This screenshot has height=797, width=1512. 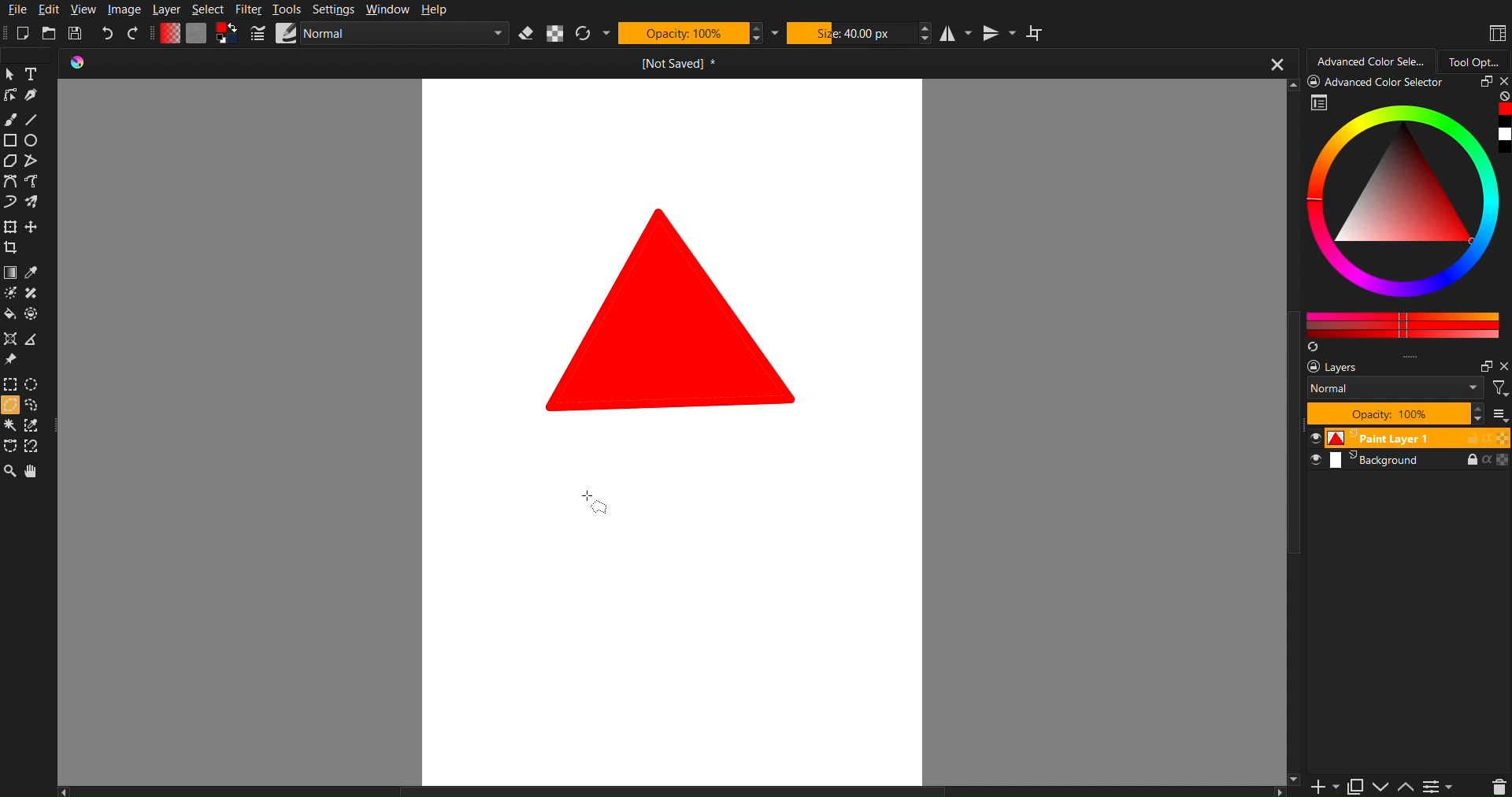 I want to click on Vertical Scrollbar, so click(x=1295, y=629).